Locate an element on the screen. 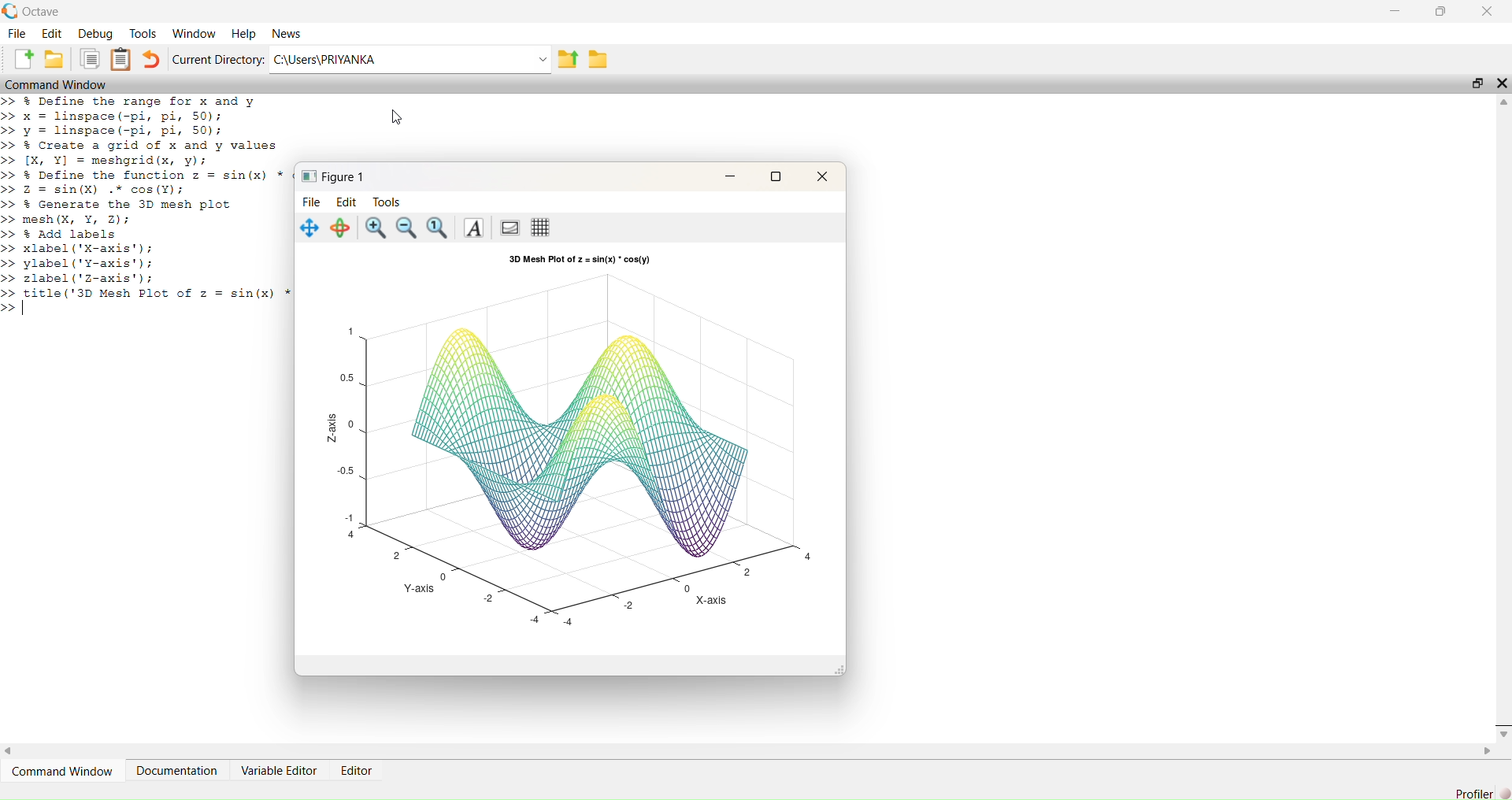 This screenshot has height=800, width=1512. New script is located at coordinates (22, 57).